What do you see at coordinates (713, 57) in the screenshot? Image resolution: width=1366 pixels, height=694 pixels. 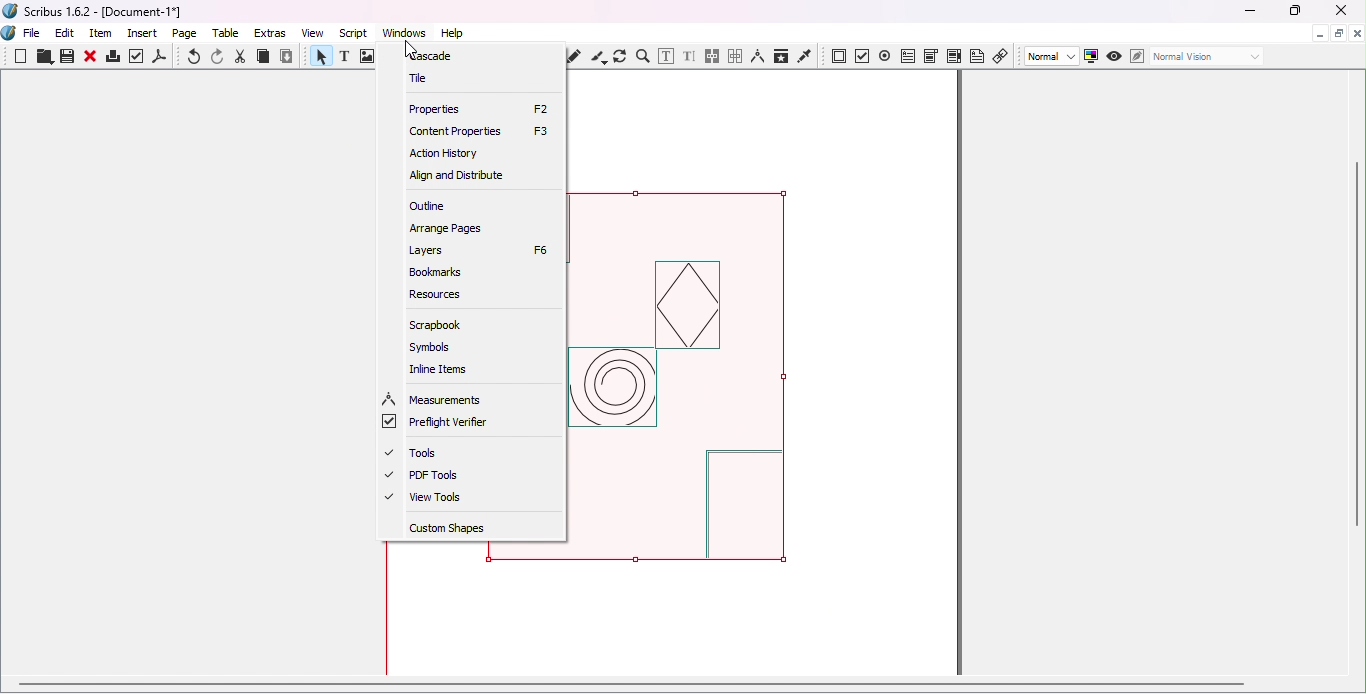 I see `Link text frames` at bounding box center [713, 57].